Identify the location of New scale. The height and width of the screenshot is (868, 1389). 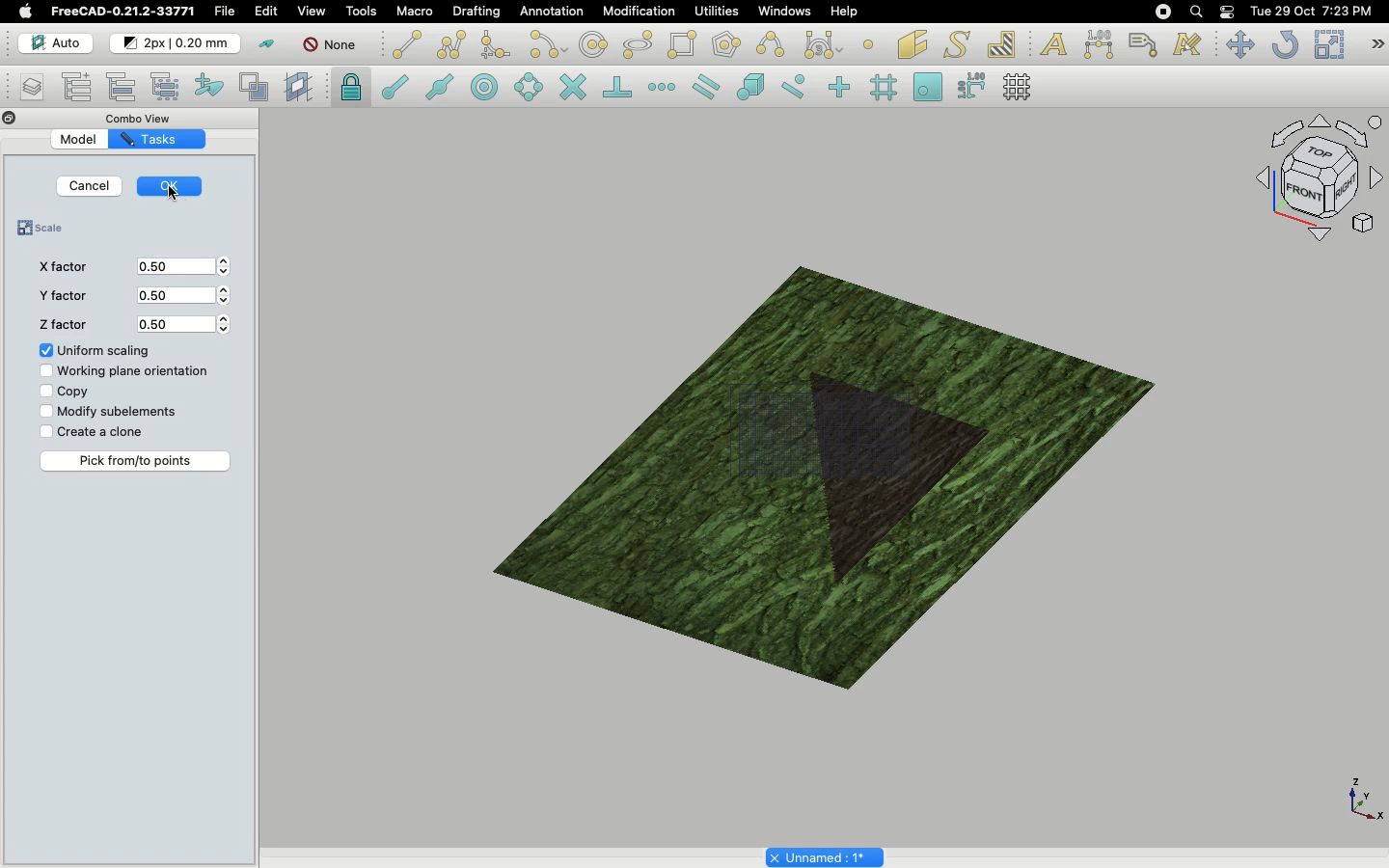
(888, 478).